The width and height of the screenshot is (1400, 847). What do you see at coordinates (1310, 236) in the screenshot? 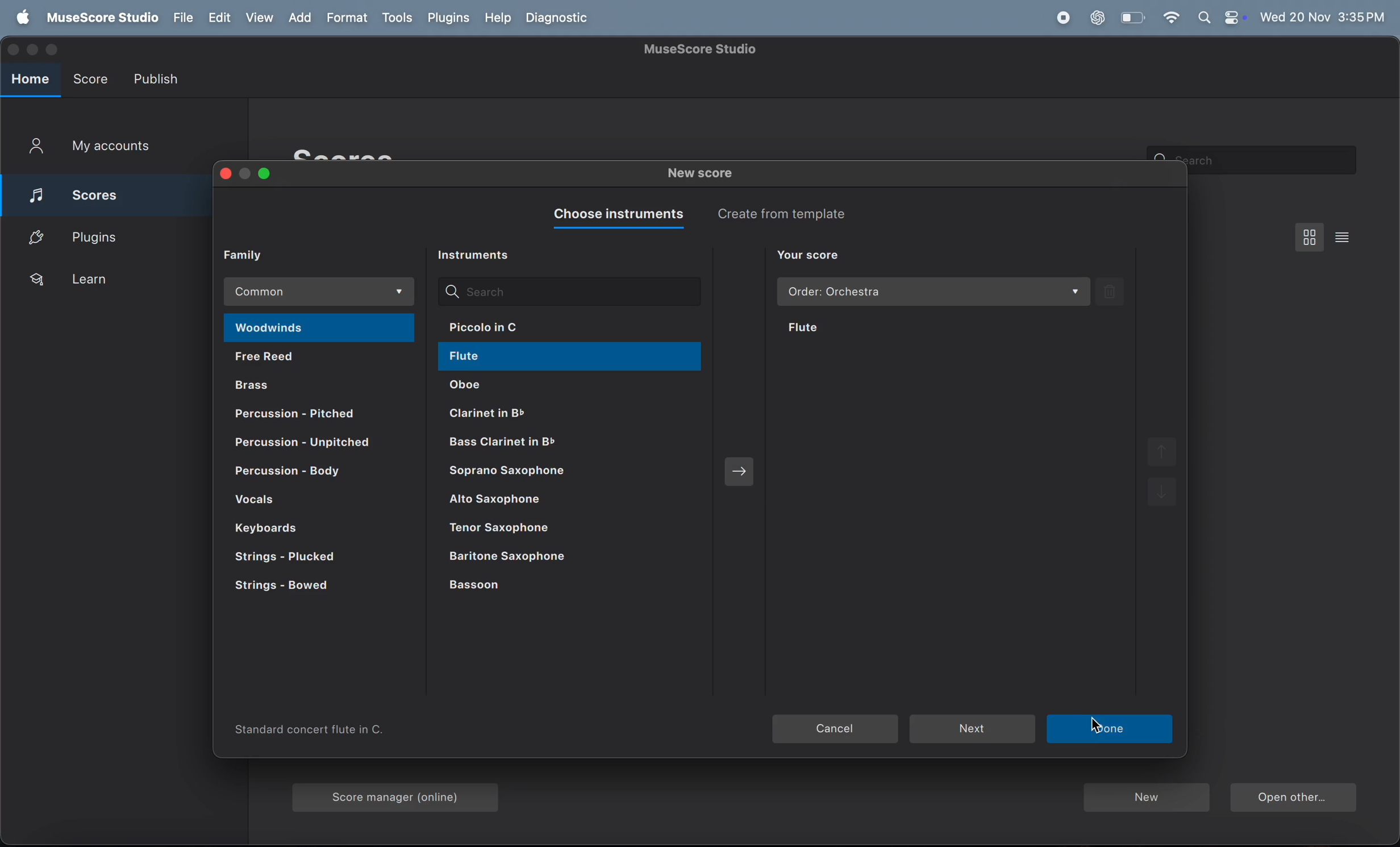
I see `view menu` at bounding box center [1310, 236].